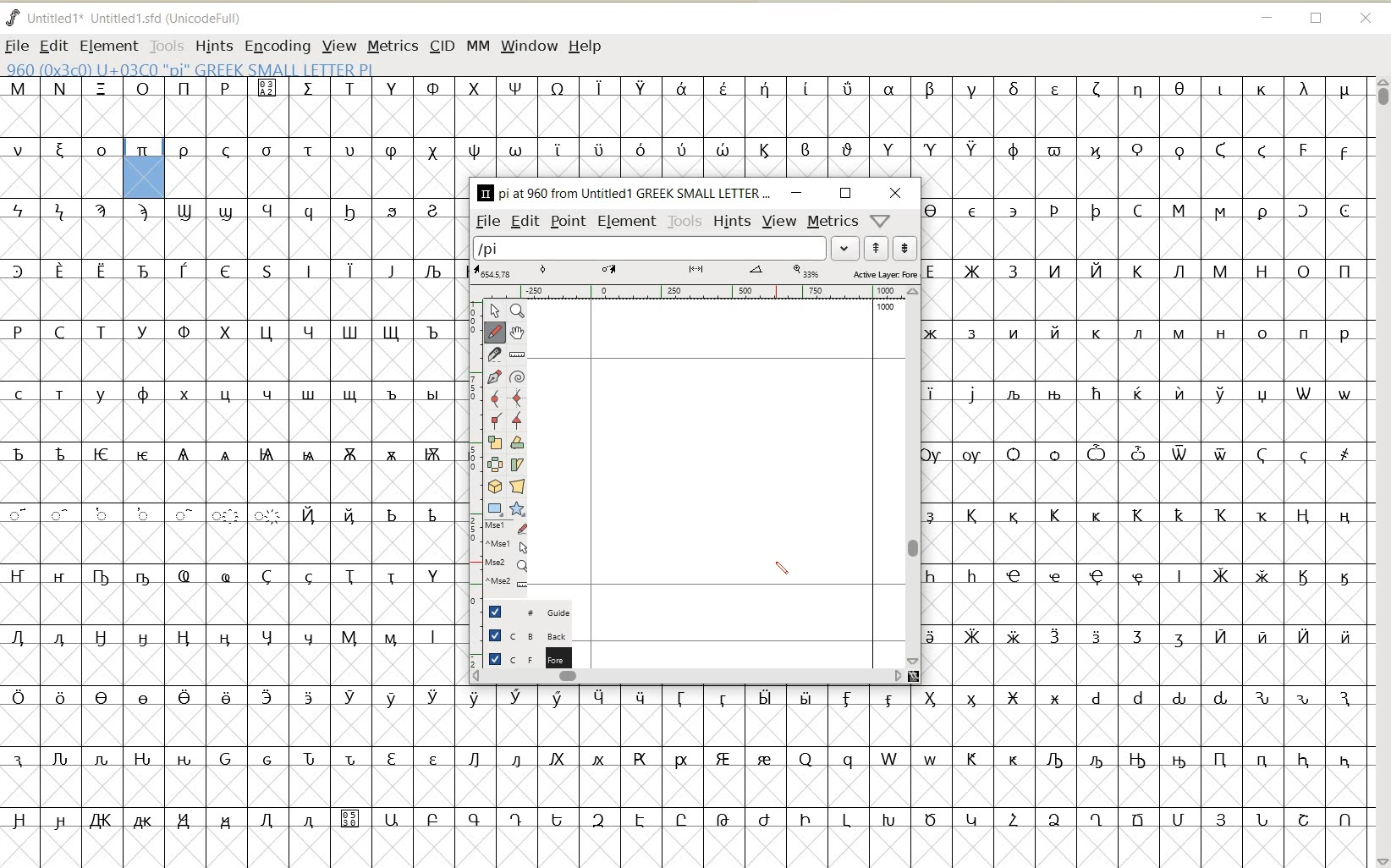 The width and height of the screenshot is (1391, 868). What do you see at coordinates (529, 45) in the screenshot?
I see `WINDOW` at bounding box center [529, 45].